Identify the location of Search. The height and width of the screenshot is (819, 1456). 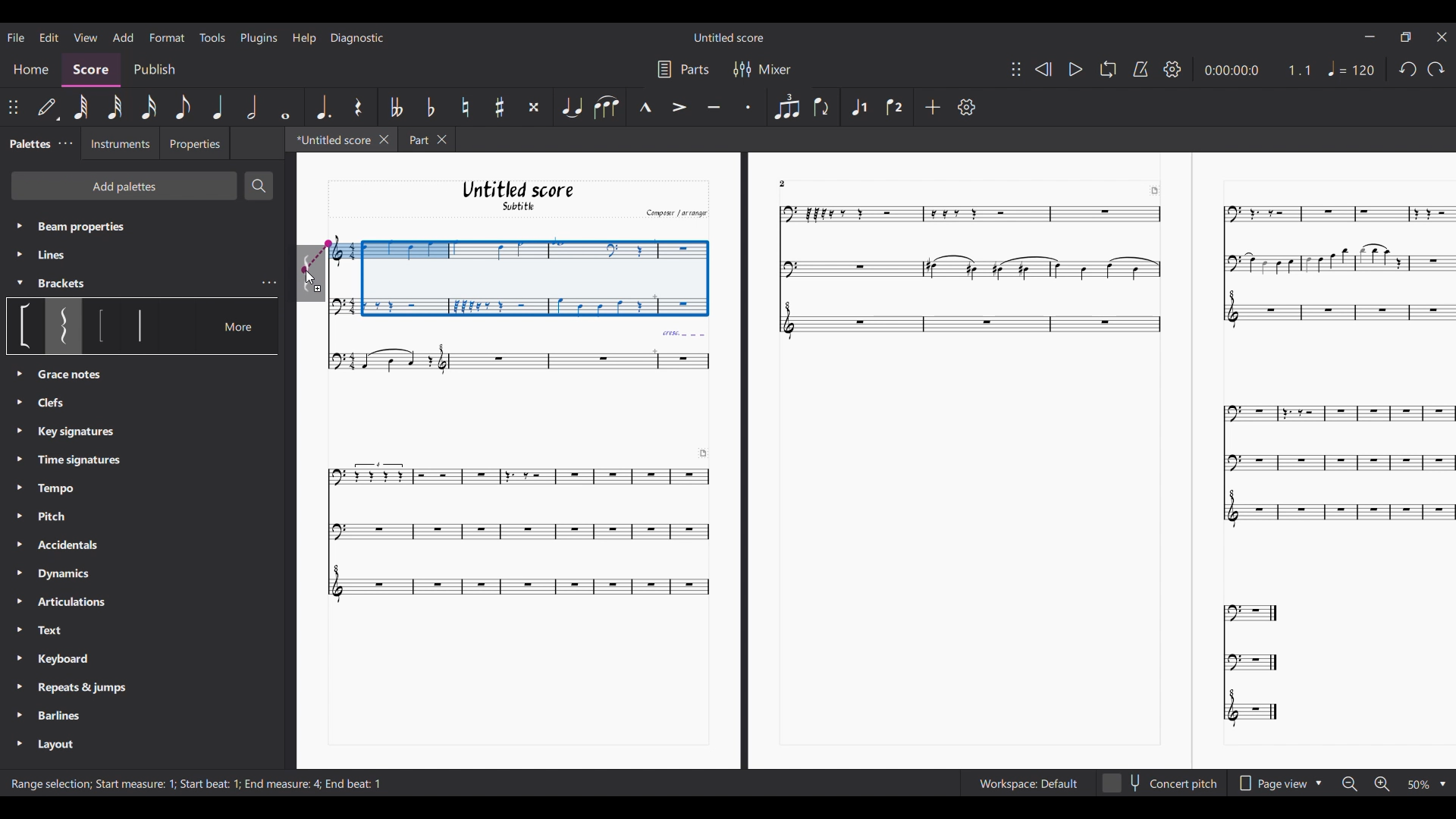
(259, 186).